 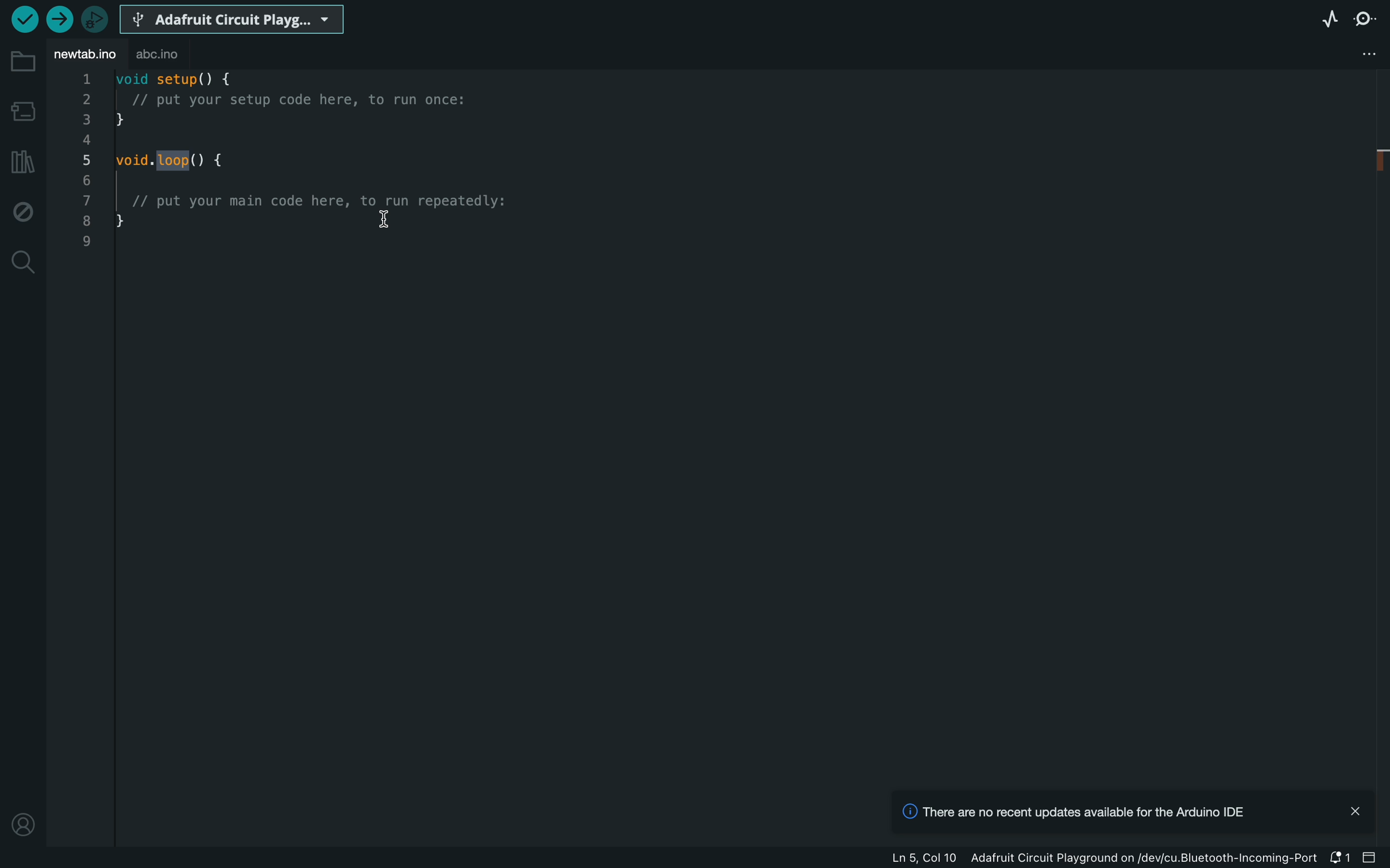 I want to click on line numbers, so click(x=87, y=162).